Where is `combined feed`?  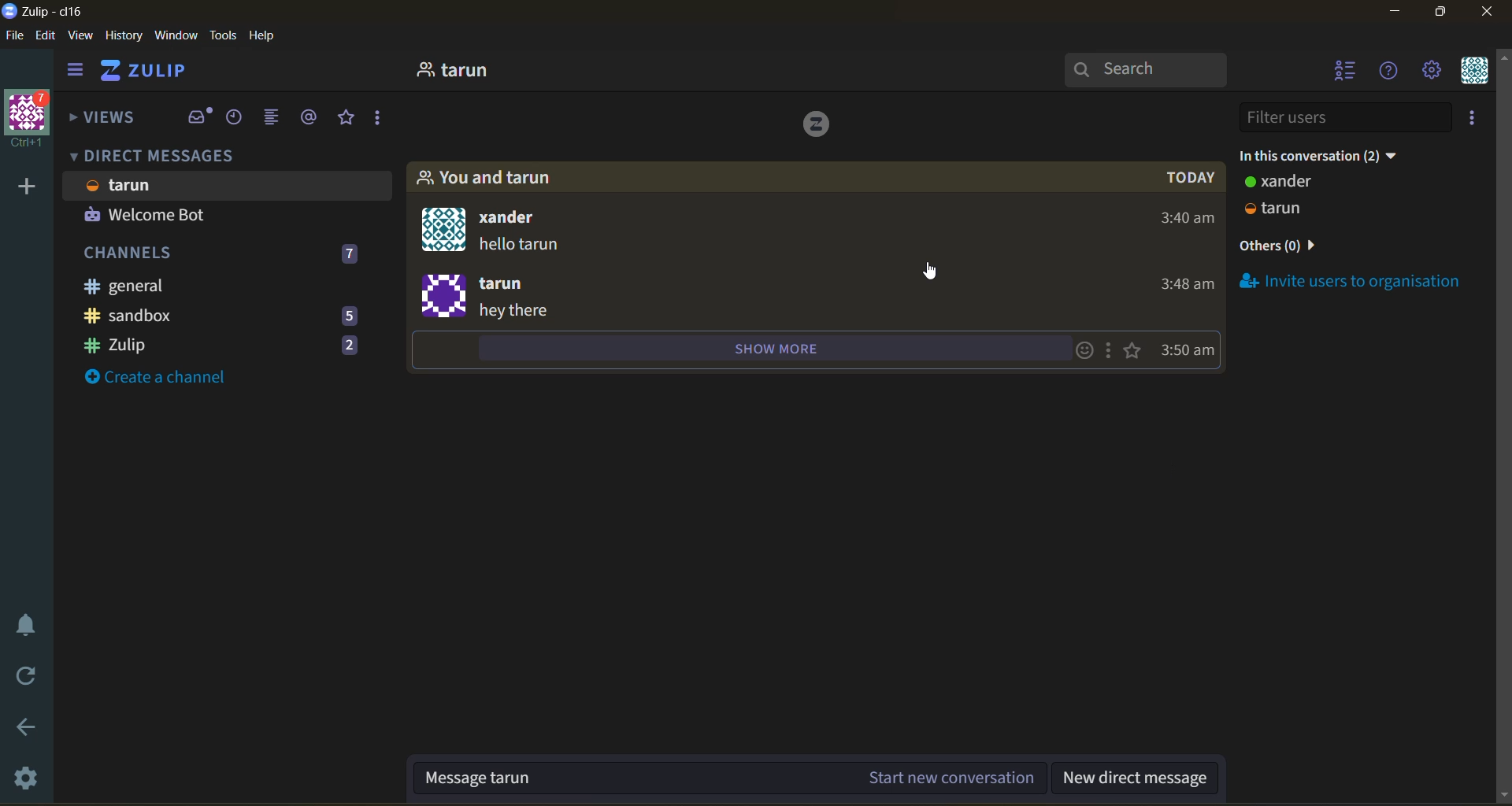 combined feed is located at coordinates (272, 116).